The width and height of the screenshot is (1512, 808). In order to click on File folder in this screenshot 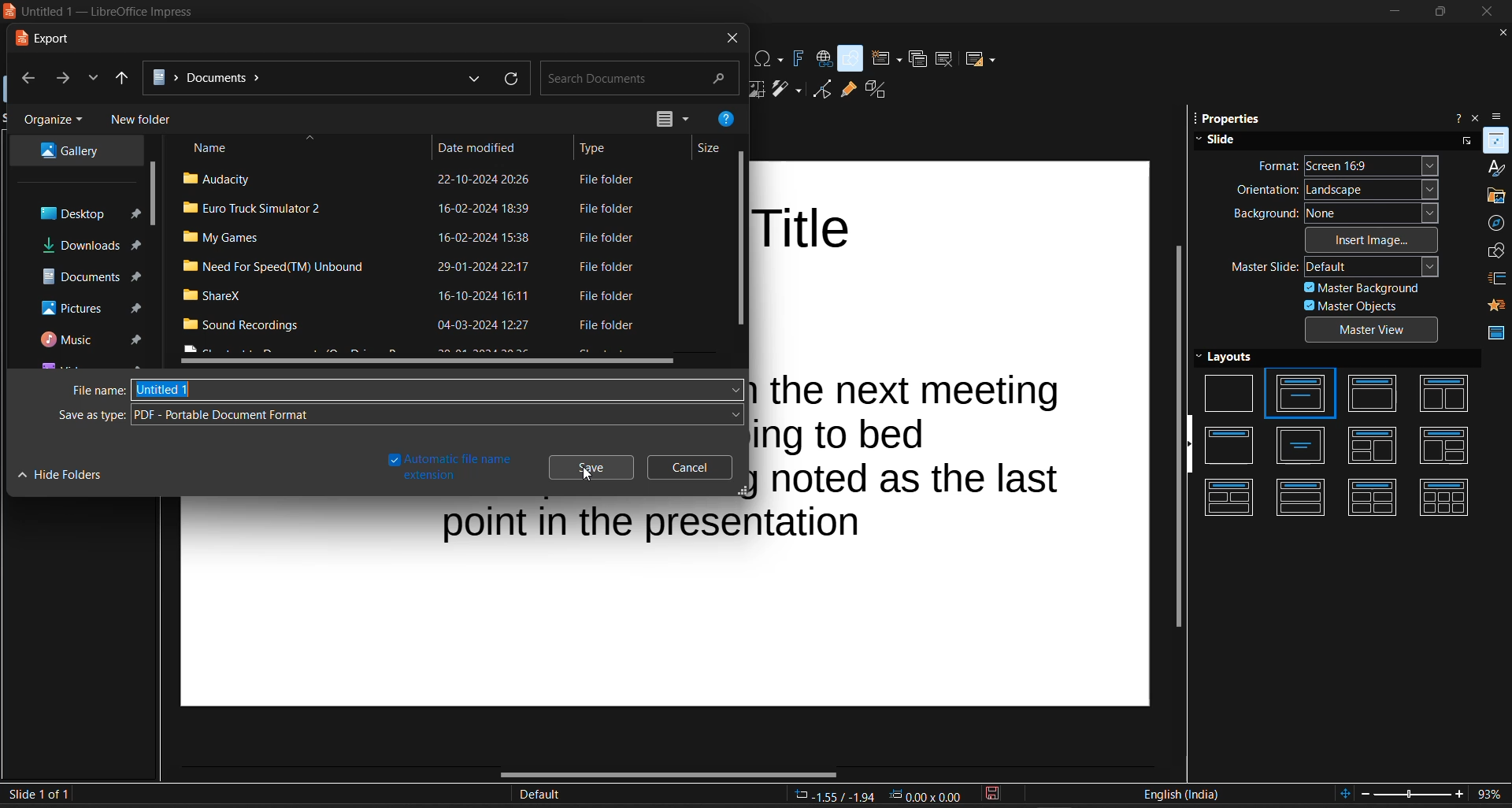, I will do `click(609, 265)`.